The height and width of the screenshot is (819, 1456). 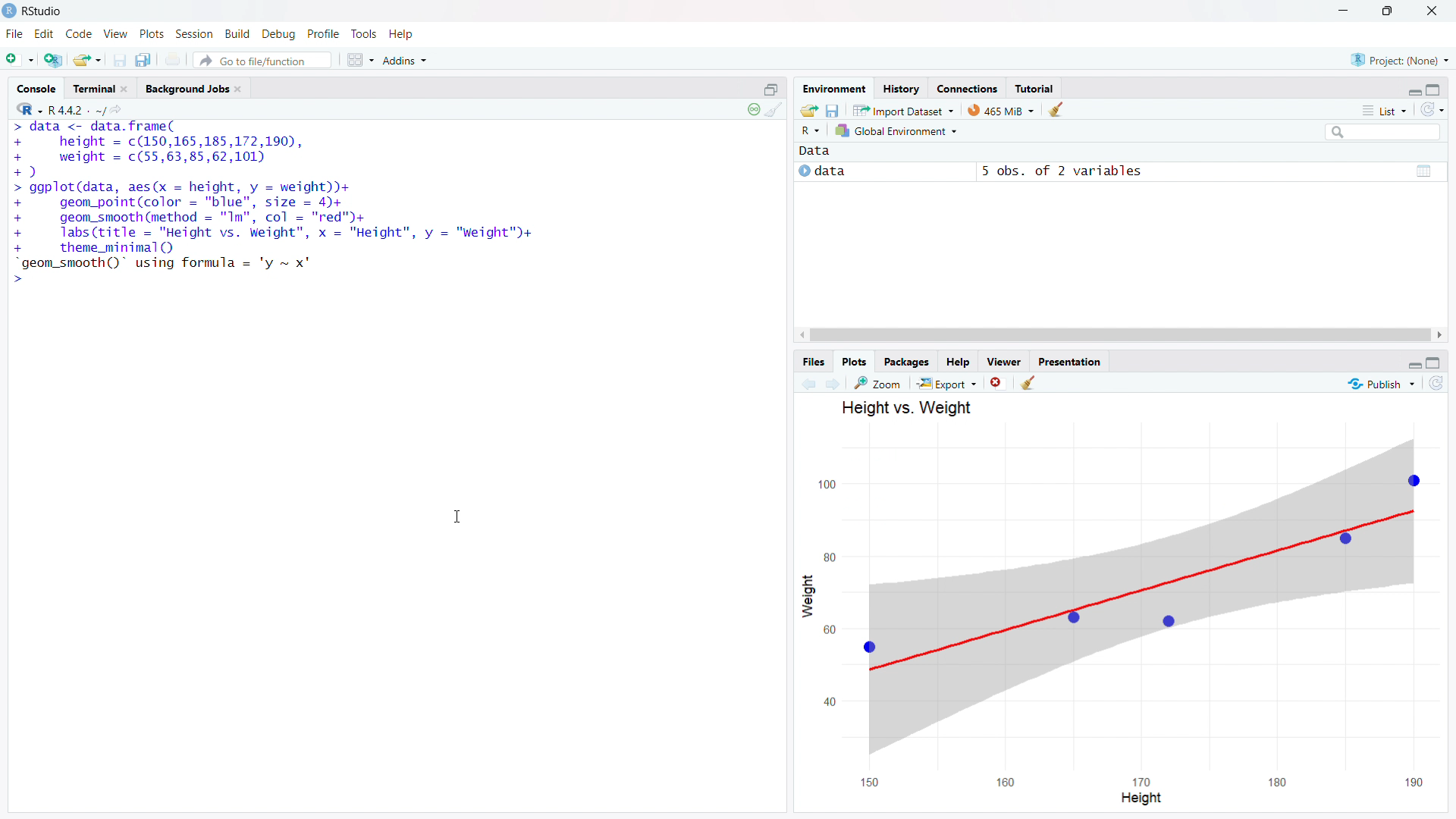 What do you see at coordinates (1071, 361) in the screenshot?
I see `presentation` at bounding box center [1071, 361].